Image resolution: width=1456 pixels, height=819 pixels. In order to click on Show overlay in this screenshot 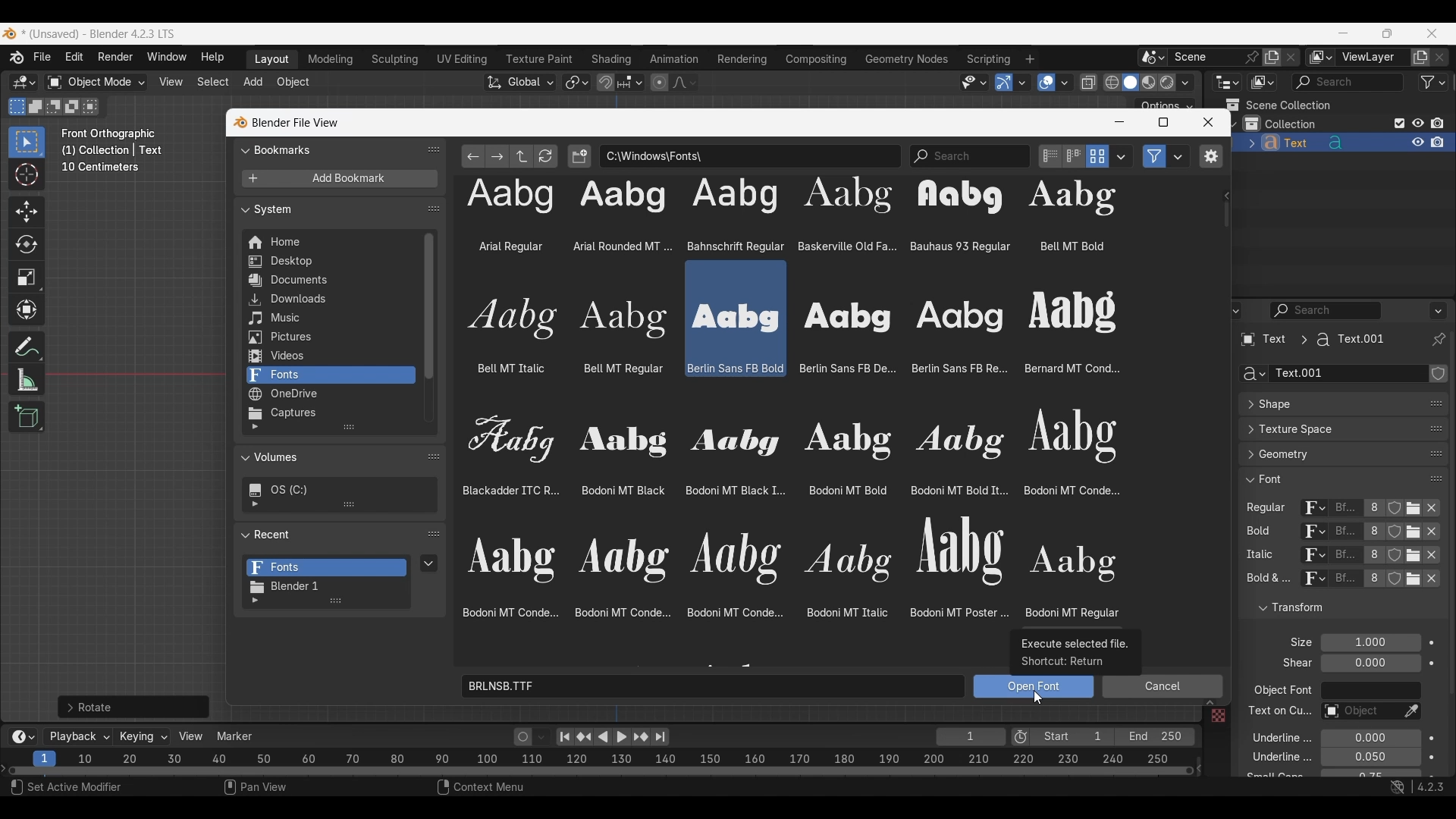, I will do `click(1046, 83)`.